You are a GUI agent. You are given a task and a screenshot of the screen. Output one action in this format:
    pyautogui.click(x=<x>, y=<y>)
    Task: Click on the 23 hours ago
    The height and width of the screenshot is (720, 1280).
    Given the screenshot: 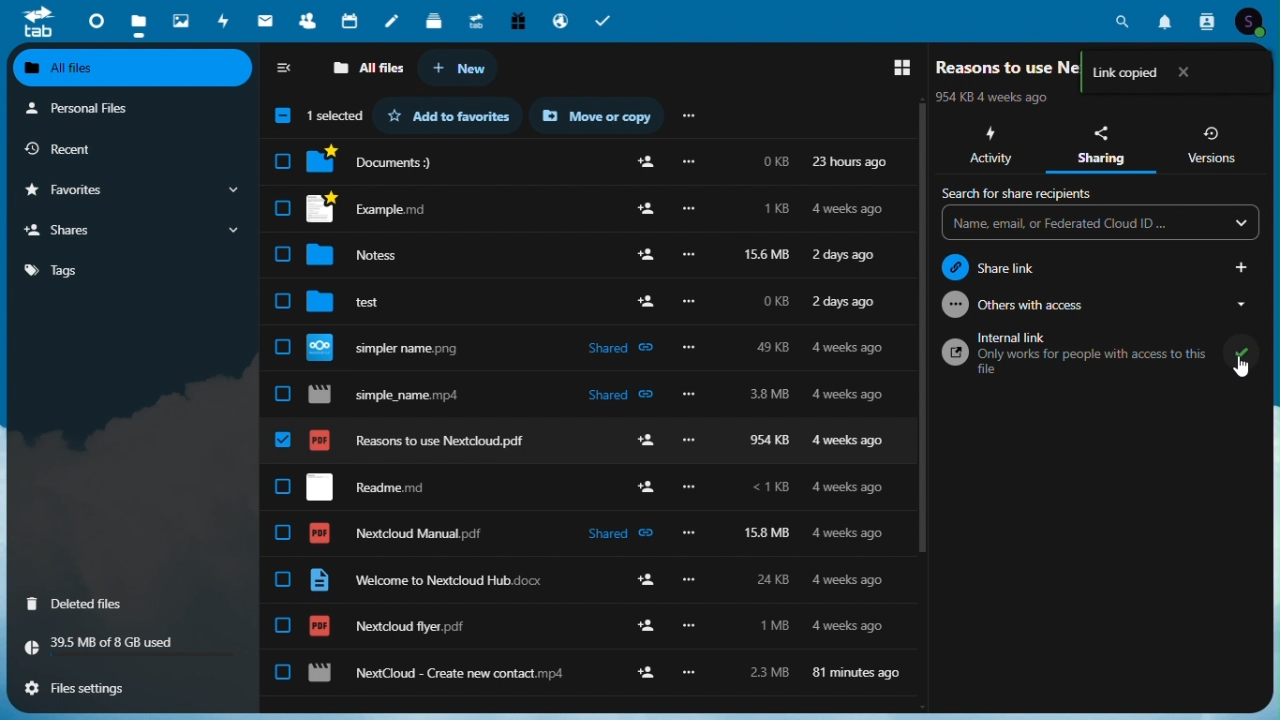 What is the action you would take?
    pyautogui.click(x=850, y=161)
    